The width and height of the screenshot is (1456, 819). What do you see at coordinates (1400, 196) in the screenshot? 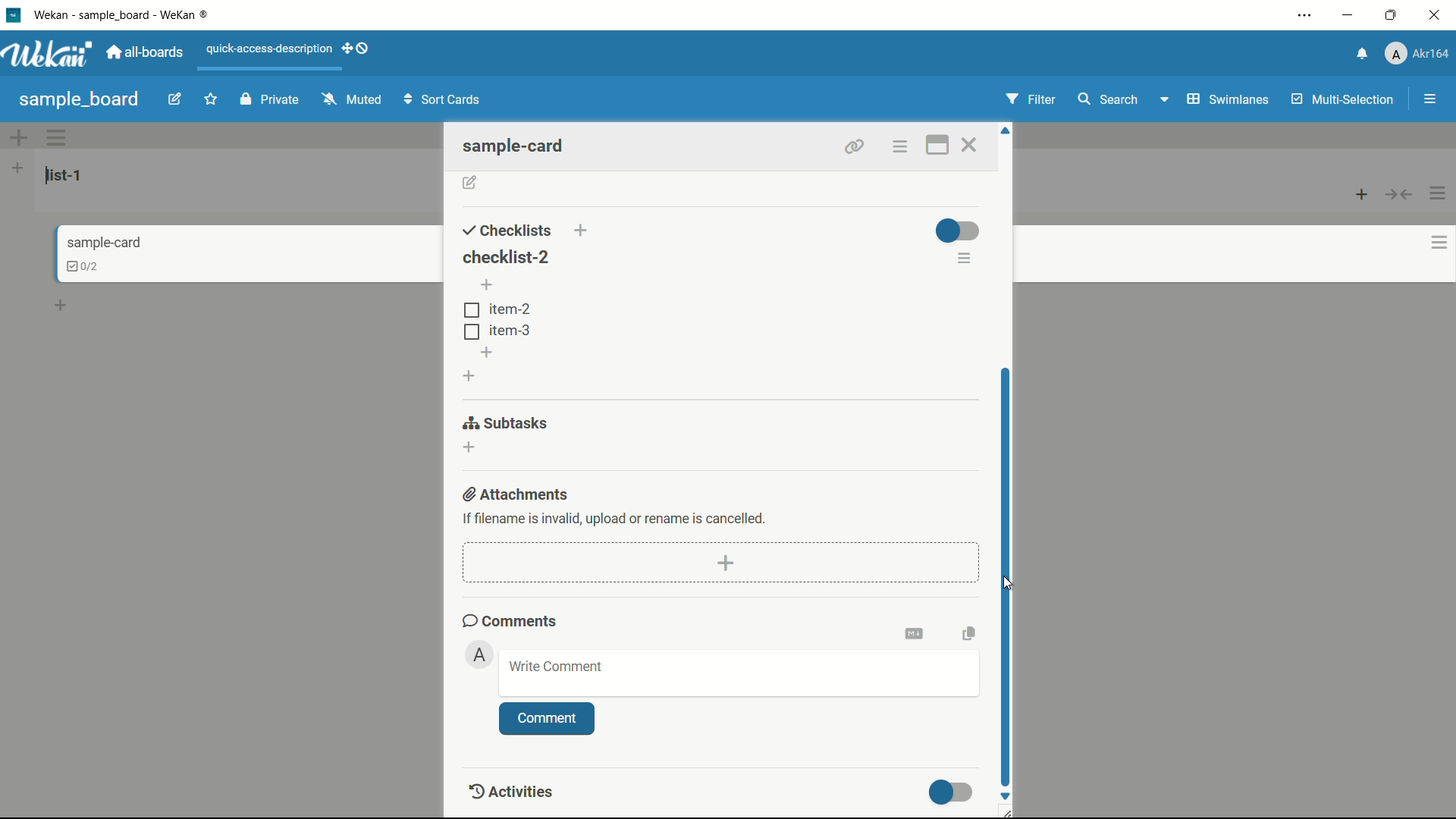
I see `collapse` at bounding box center [1400, 196].